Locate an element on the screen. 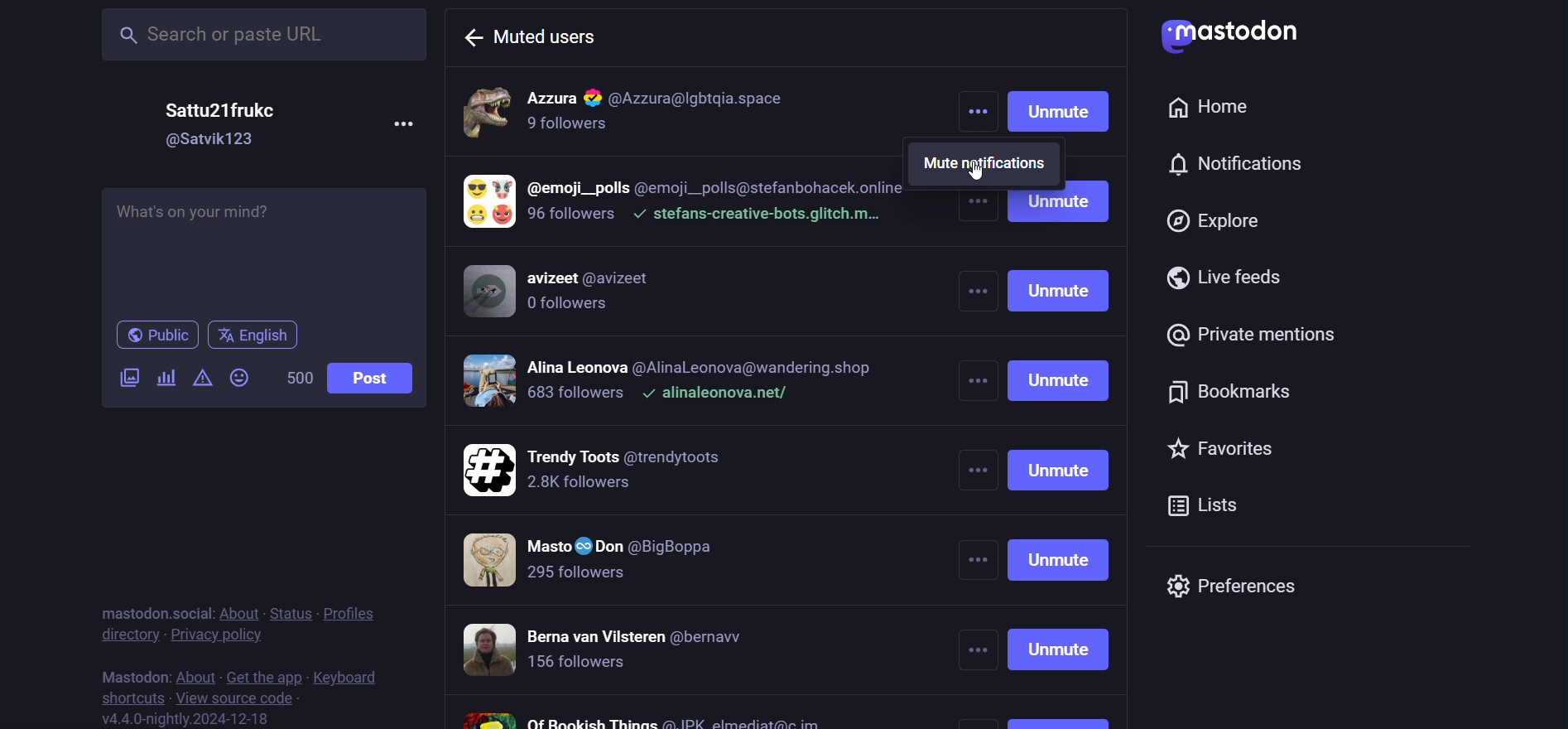 The height and width of the screenshot is (729, 1568). preferences is located at coordinates (1238, 586).